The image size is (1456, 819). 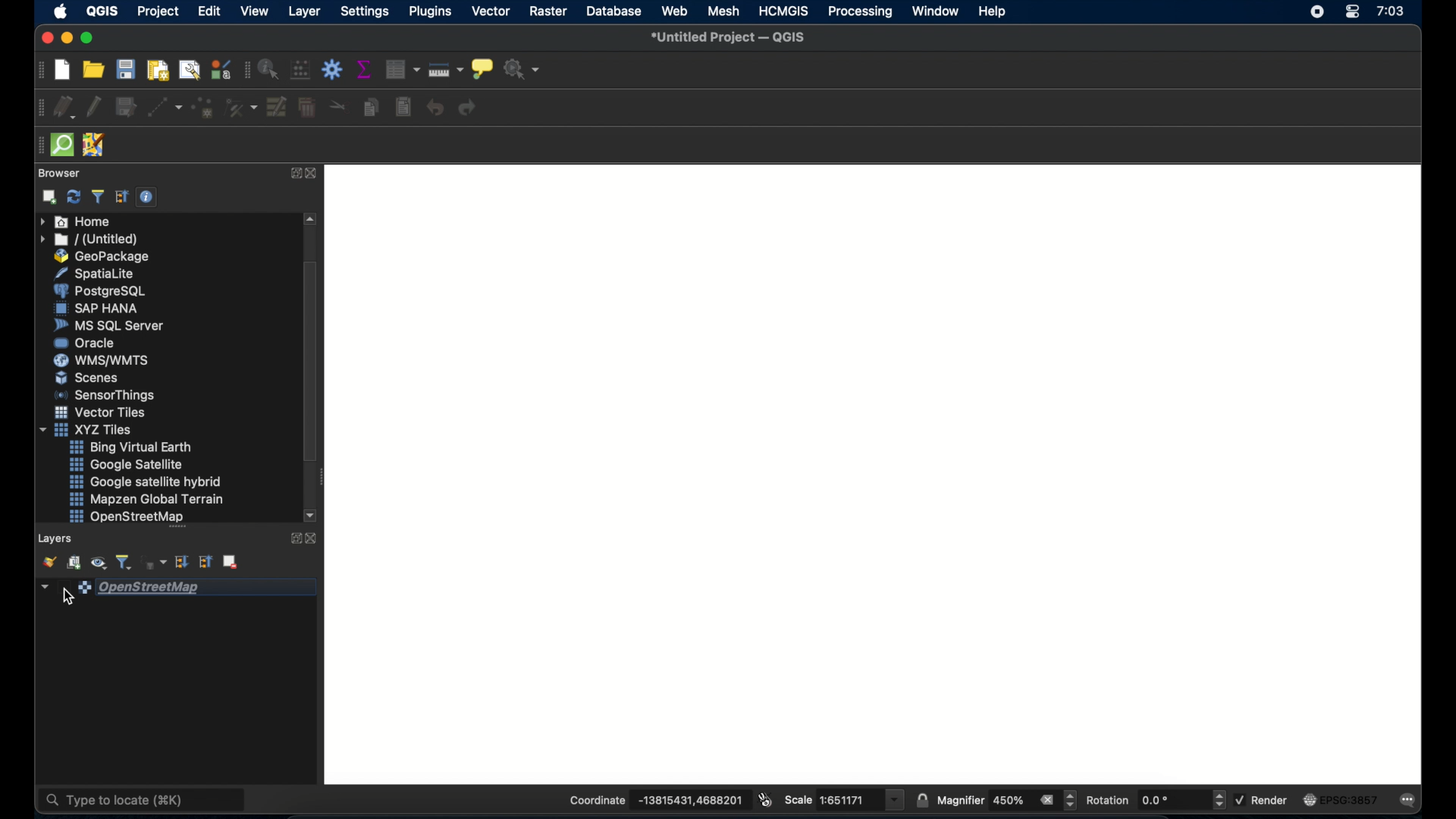 I want to click on mapzen global terrain, so click(x=148, y=499).